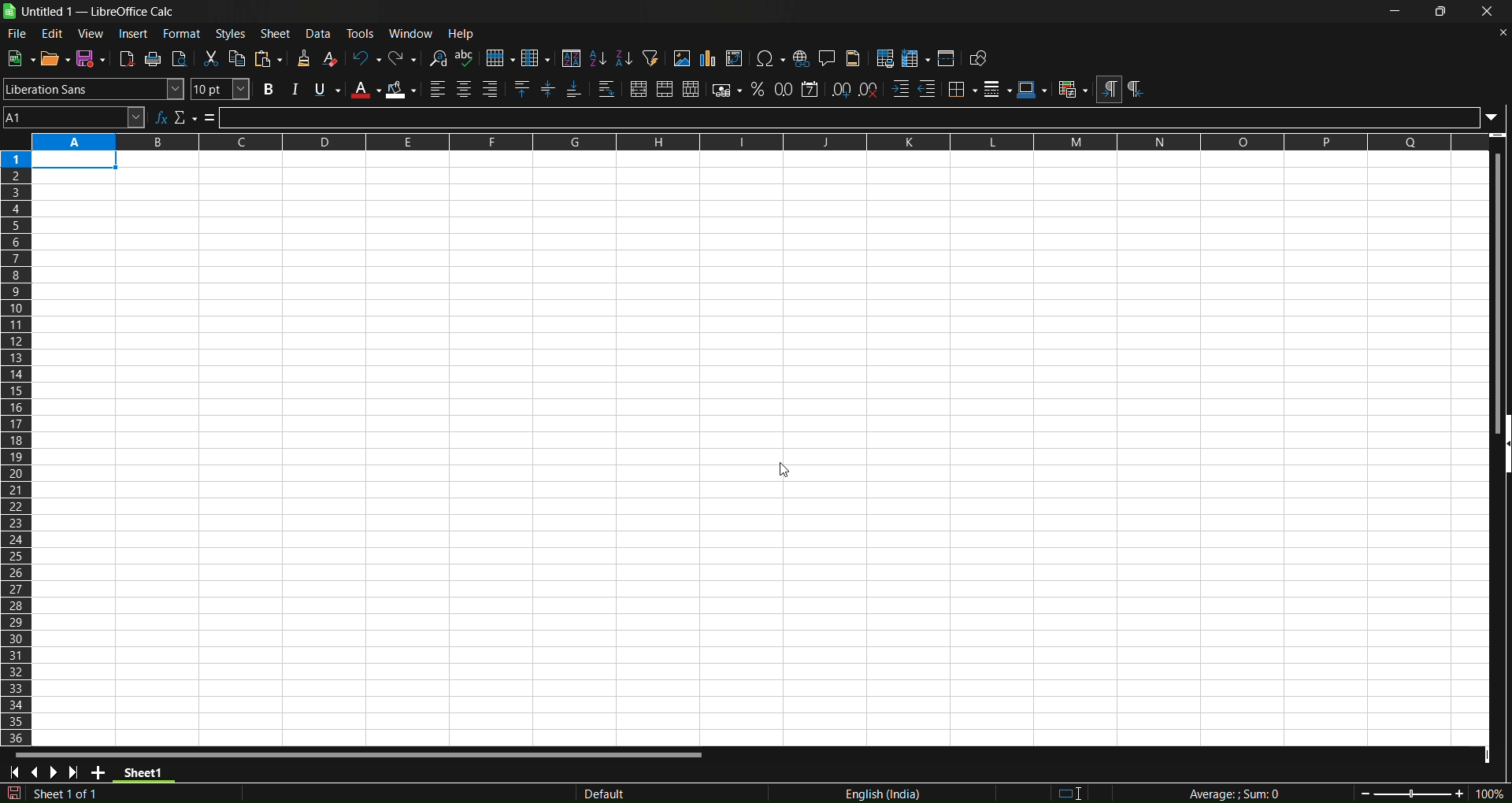  What do you see at coordinates (962, 88) in the screenshot?
I see `border` at bounding box center [962, 88].